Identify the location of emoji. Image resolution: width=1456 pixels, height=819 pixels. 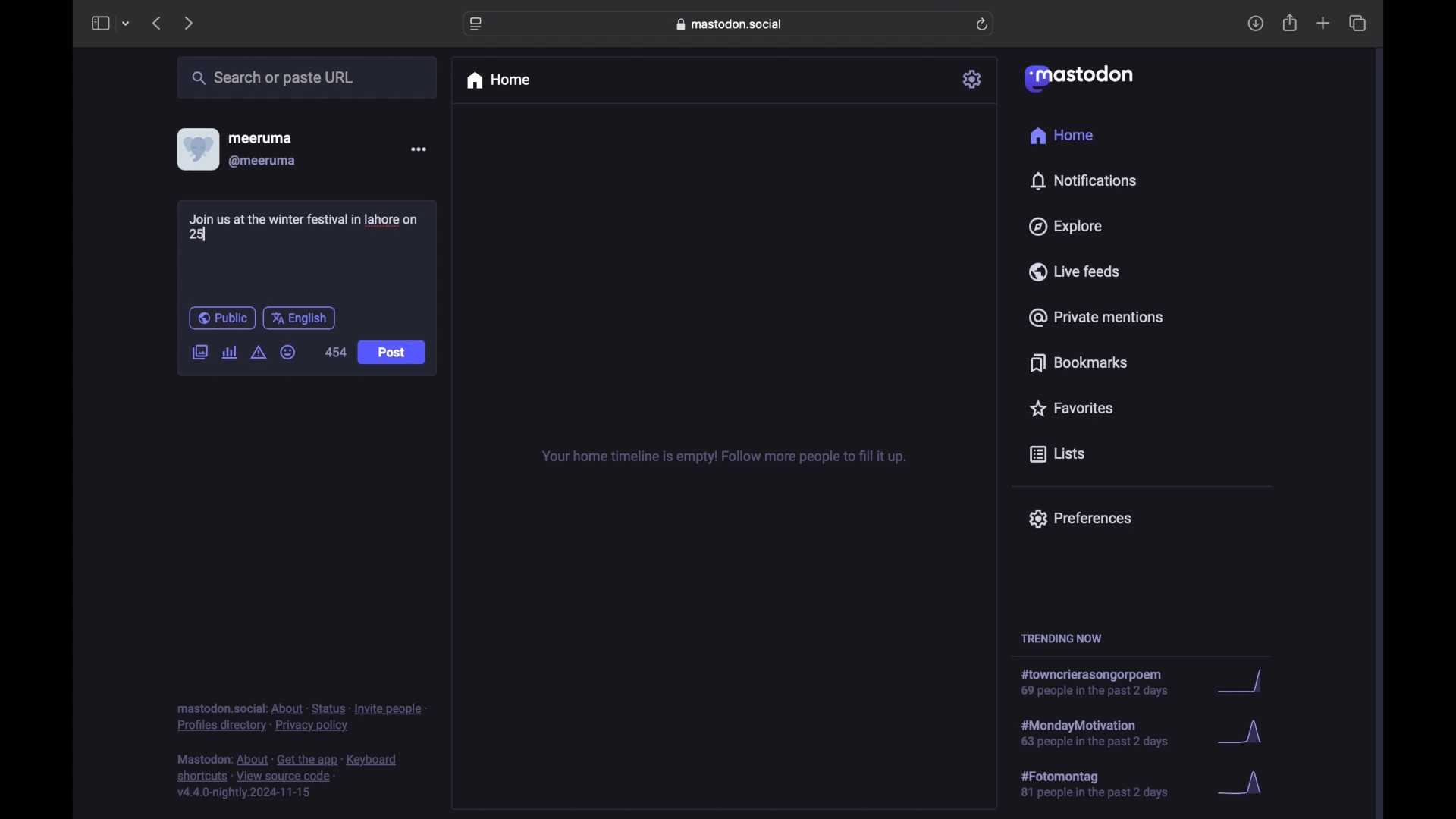
(288, 353).